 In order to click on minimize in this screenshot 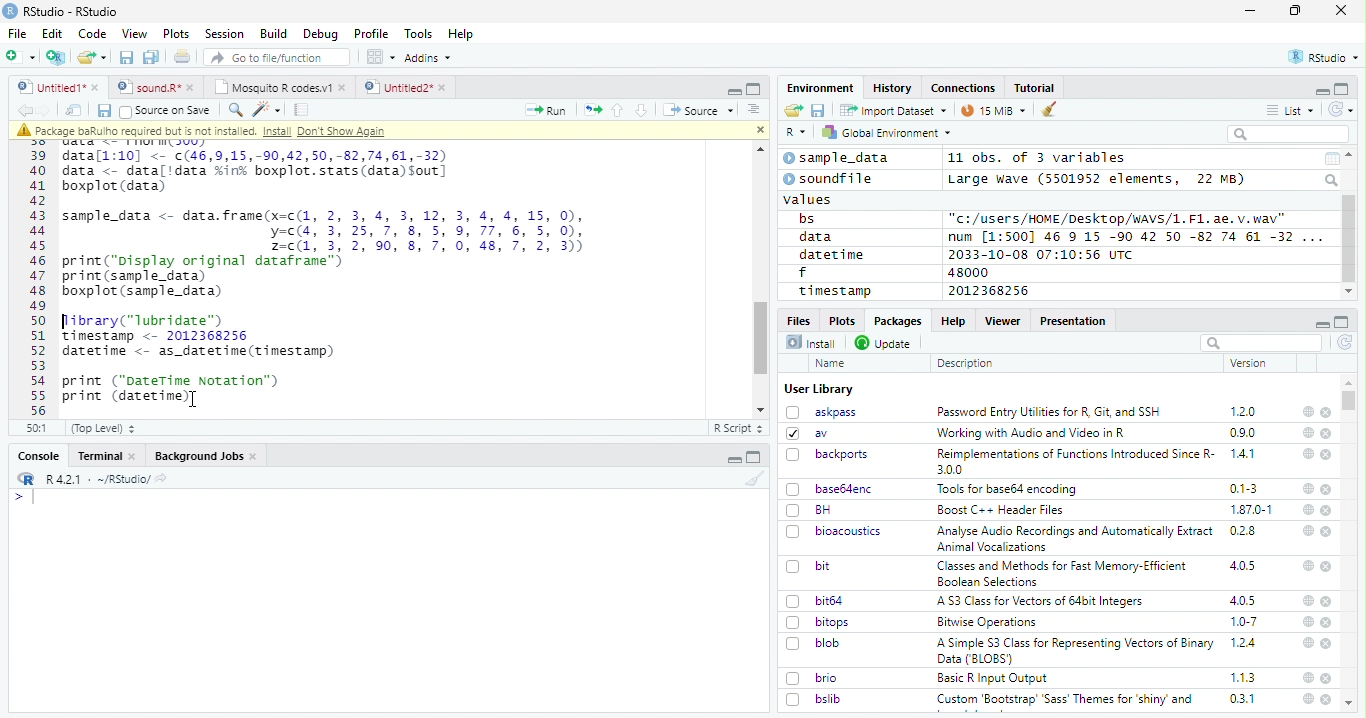, I will do `click(1321, 322)`.